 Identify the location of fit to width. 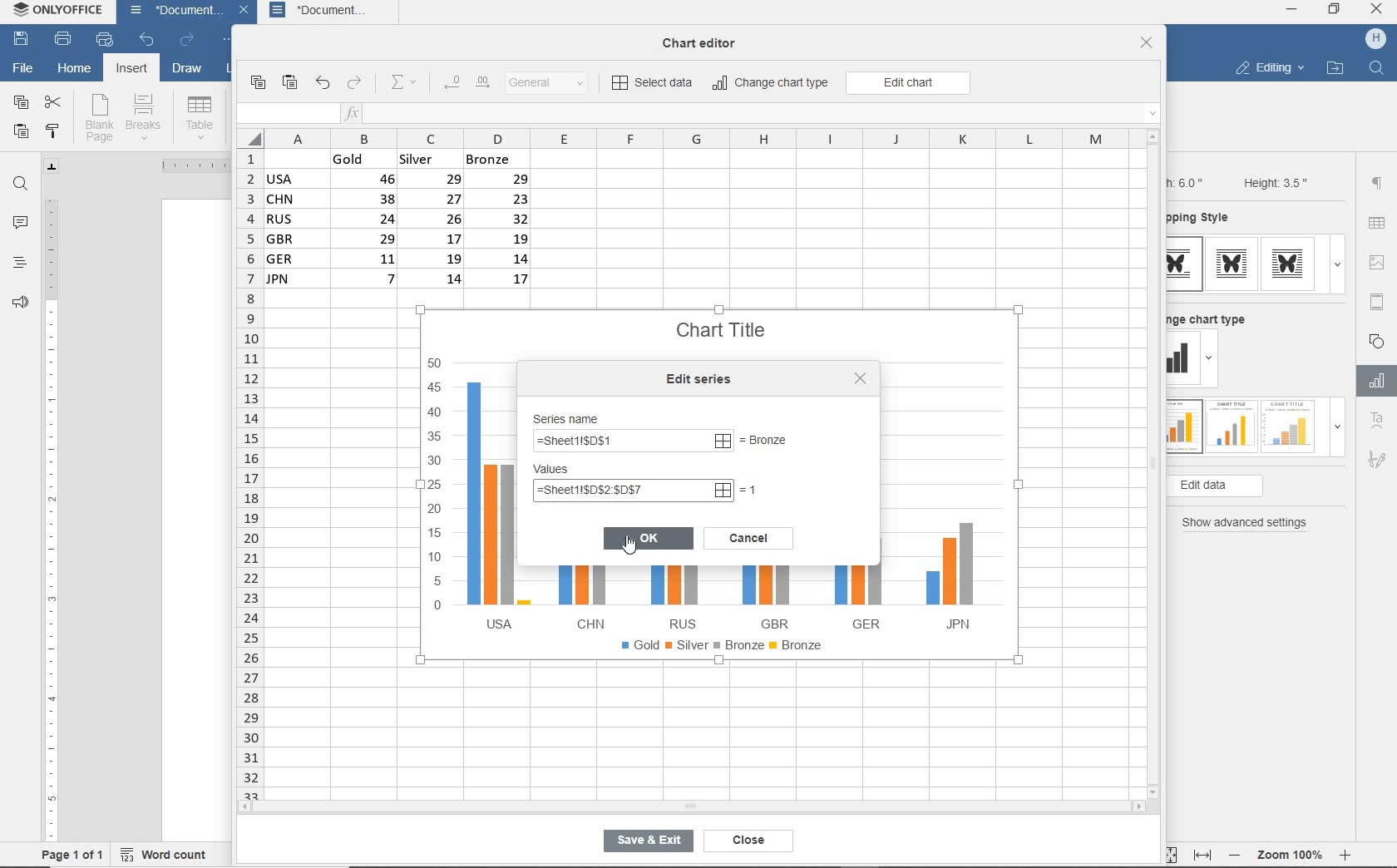
(1202, 855).